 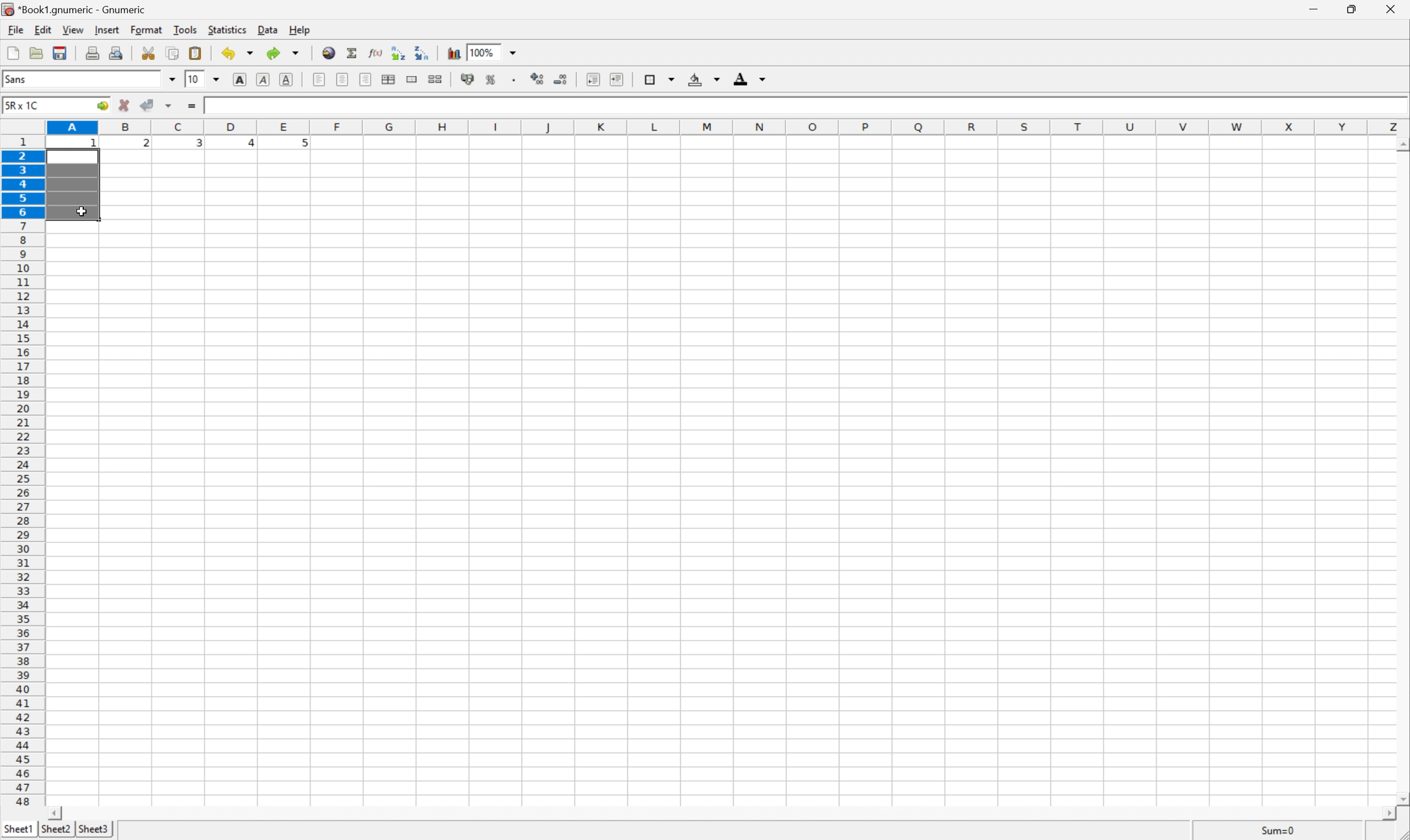 I want to click on Cursor, so click(x=83, y=211).